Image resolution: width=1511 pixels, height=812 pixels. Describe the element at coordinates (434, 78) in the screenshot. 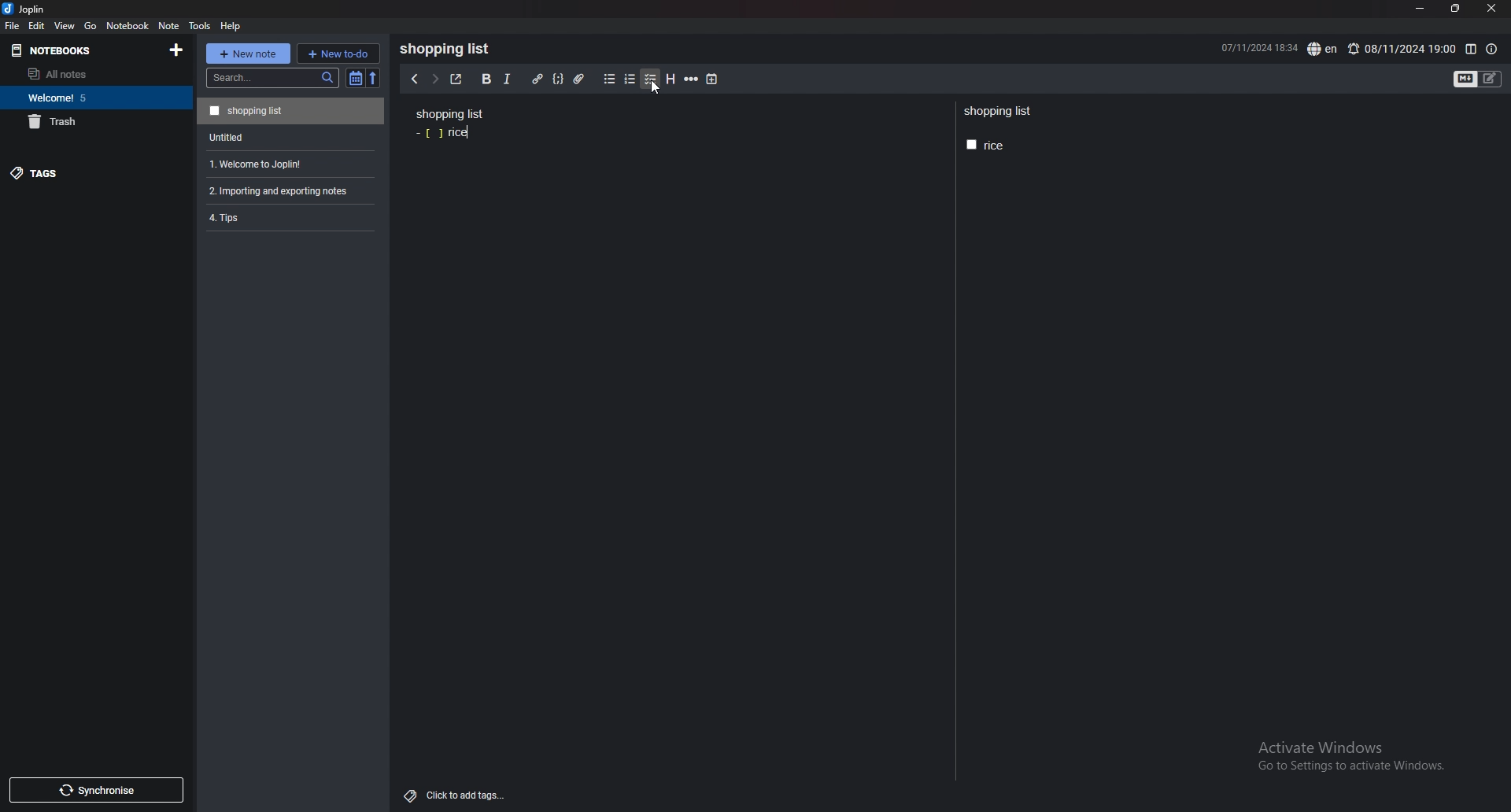

I see `next` at that location.